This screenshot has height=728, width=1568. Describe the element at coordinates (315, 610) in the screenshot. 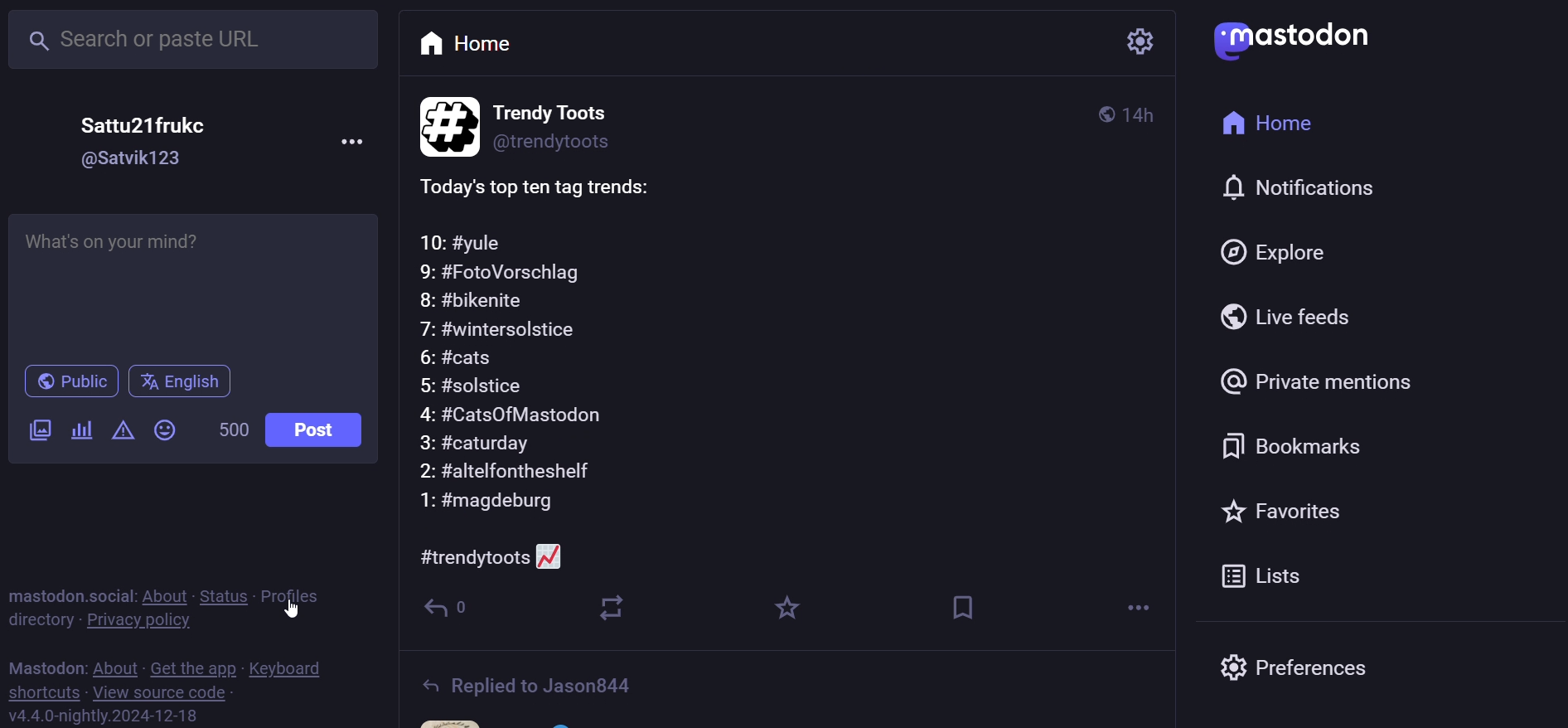

I see `cursor` at that location.